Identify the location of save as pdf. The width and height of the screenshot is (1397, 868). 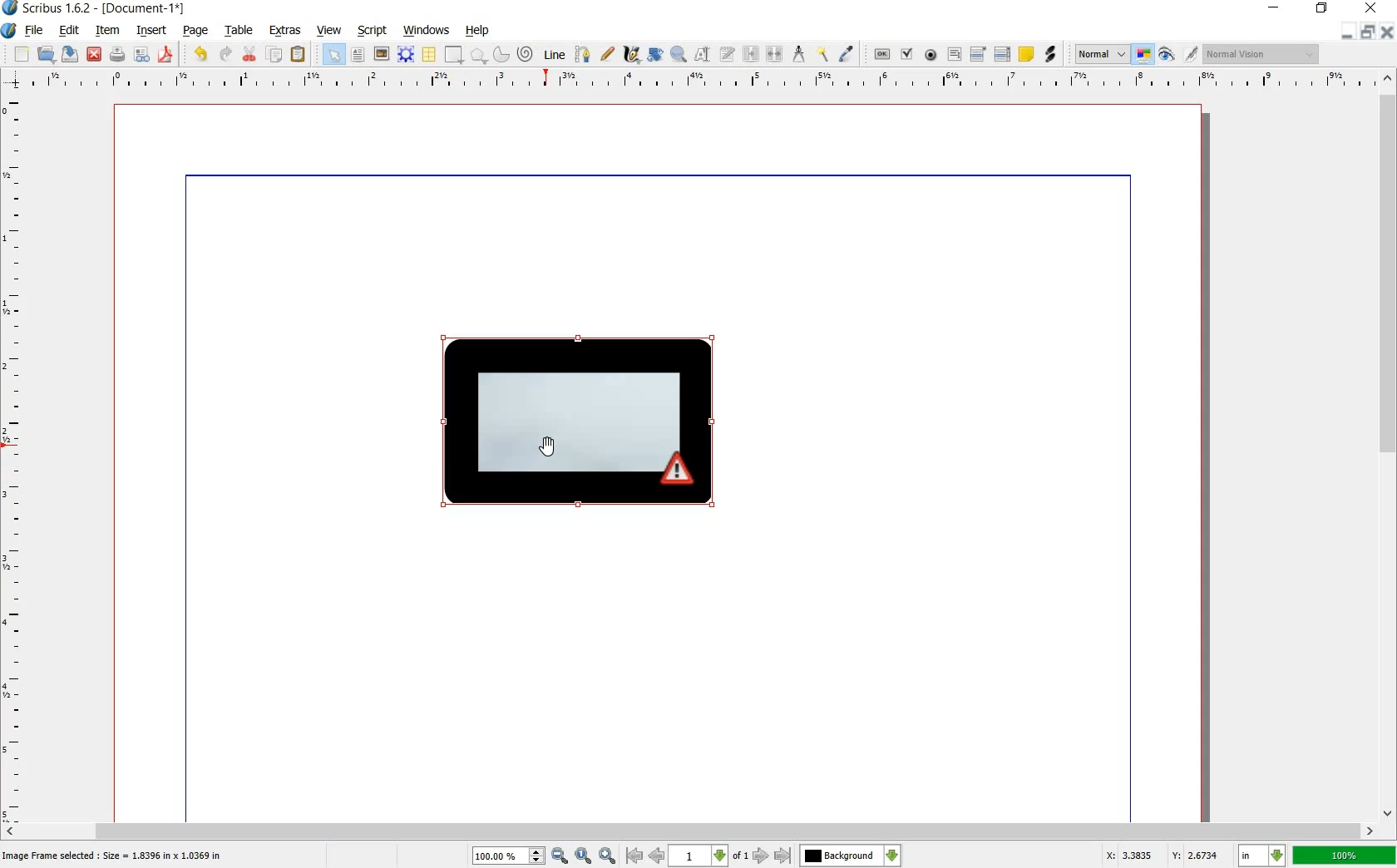
(166, 56).